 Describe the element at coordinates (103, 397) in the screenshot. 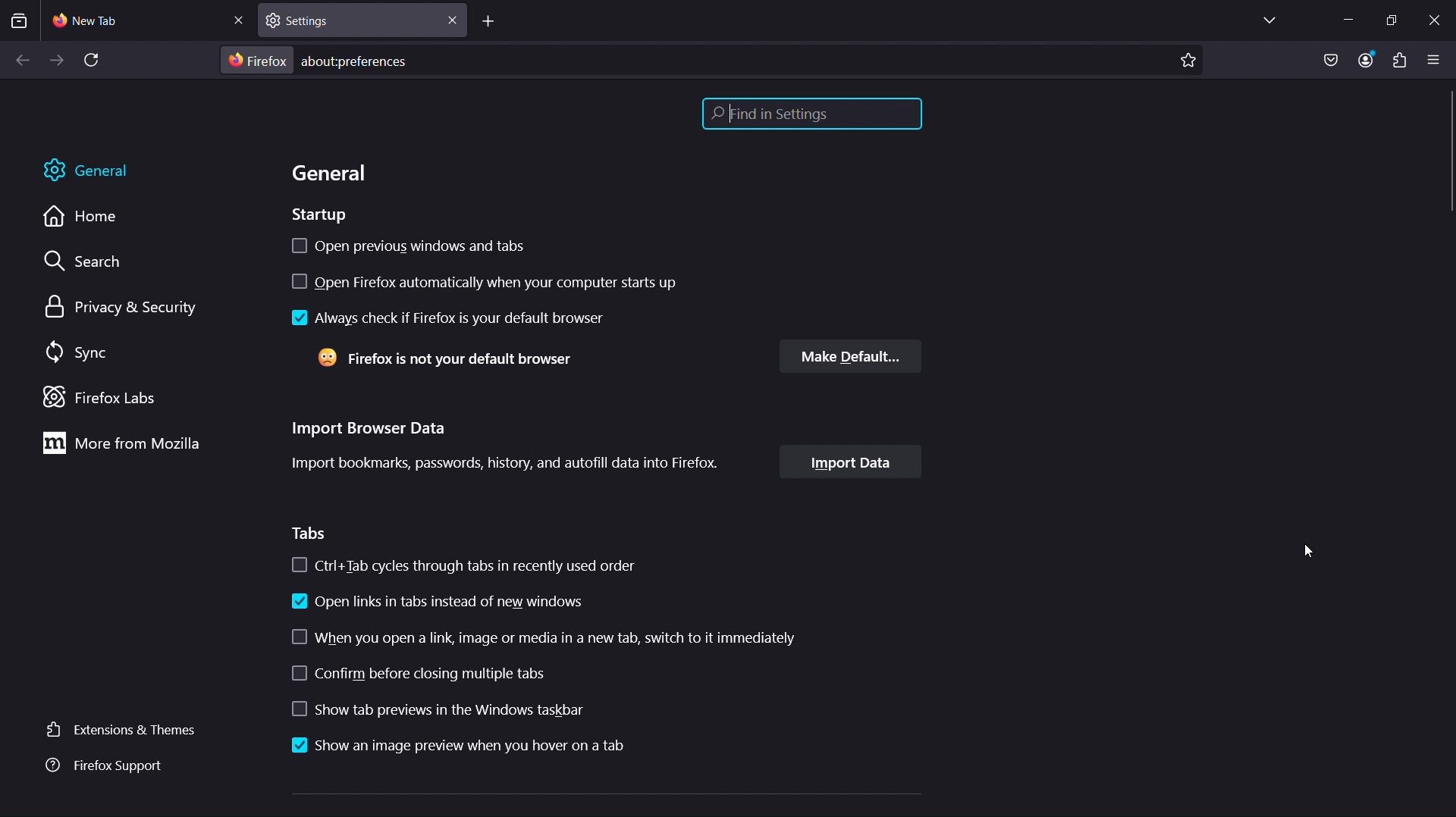

I see `Firefox Labs` at that location.